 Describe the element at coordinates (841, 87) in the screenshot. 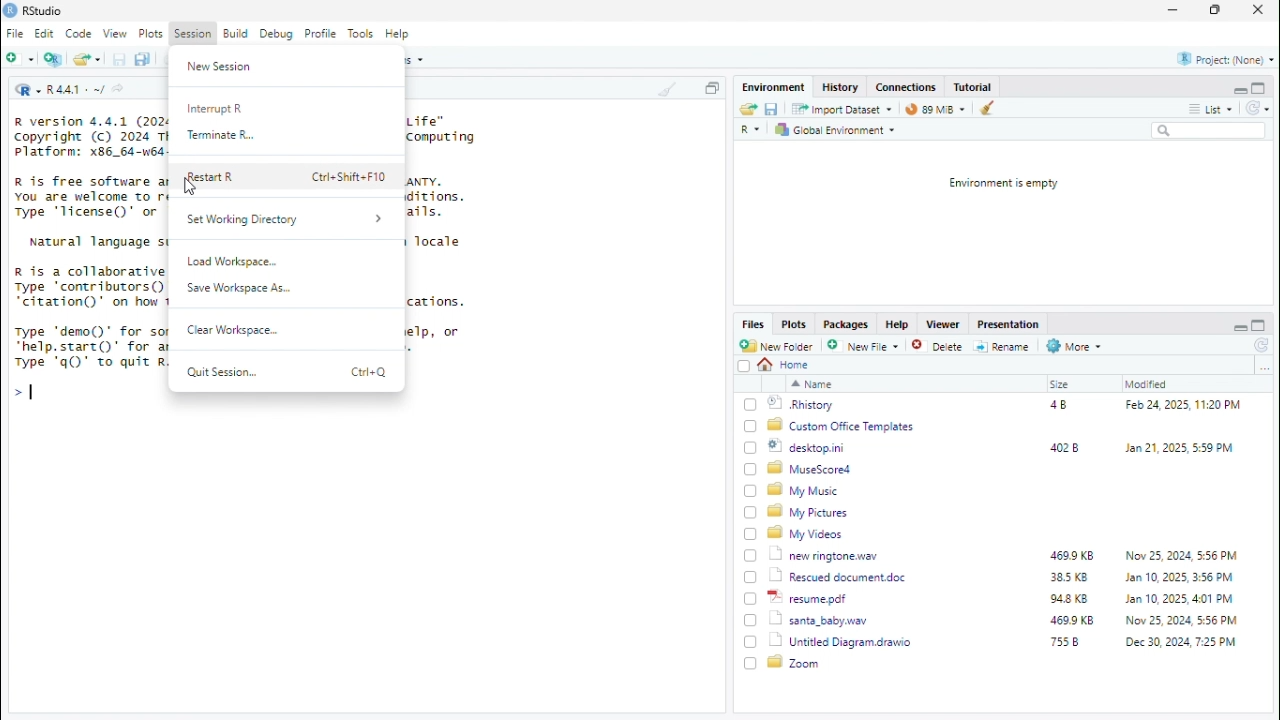

I see `History` at that location.